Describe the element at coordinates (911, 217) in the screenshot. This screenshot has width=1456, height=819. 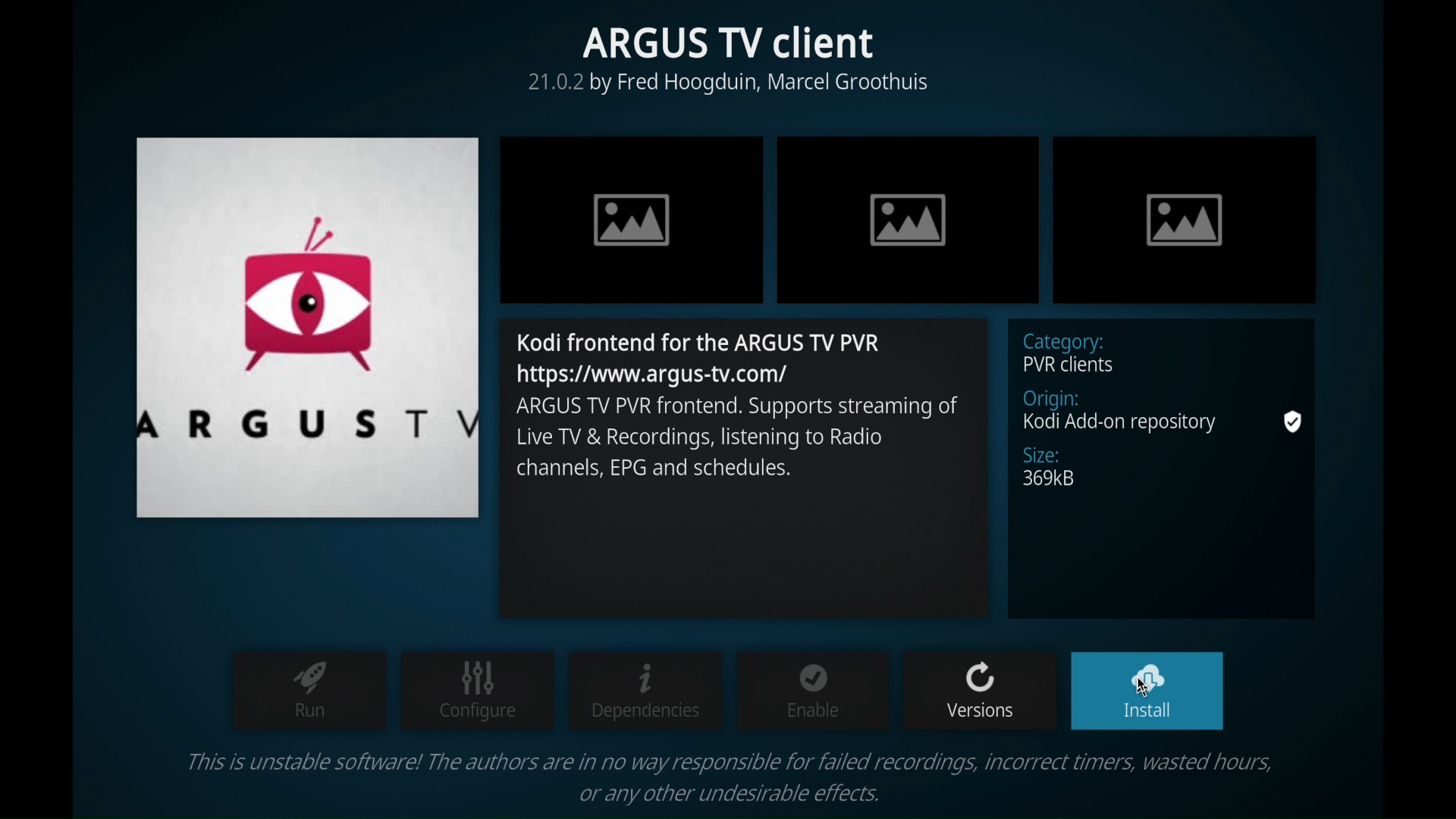
I see `Image` at that location.